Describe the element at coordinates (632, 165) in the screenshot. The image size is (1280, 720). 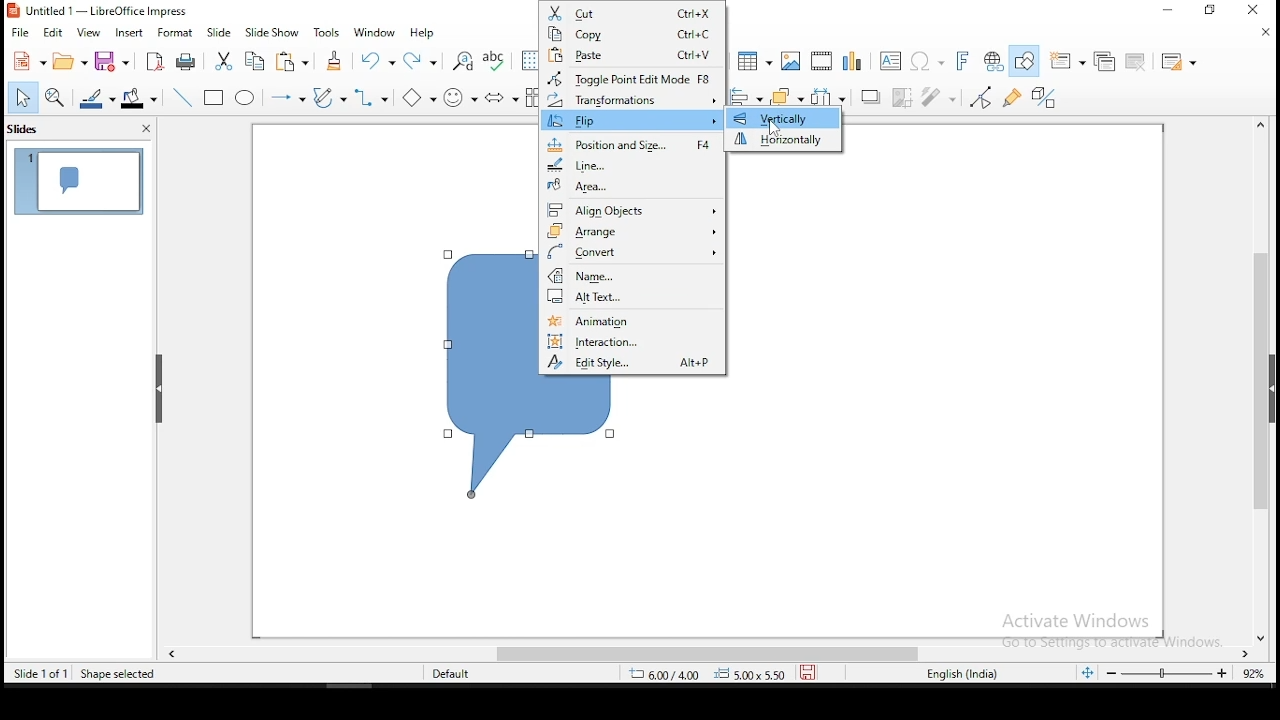
I see `line` at that location.